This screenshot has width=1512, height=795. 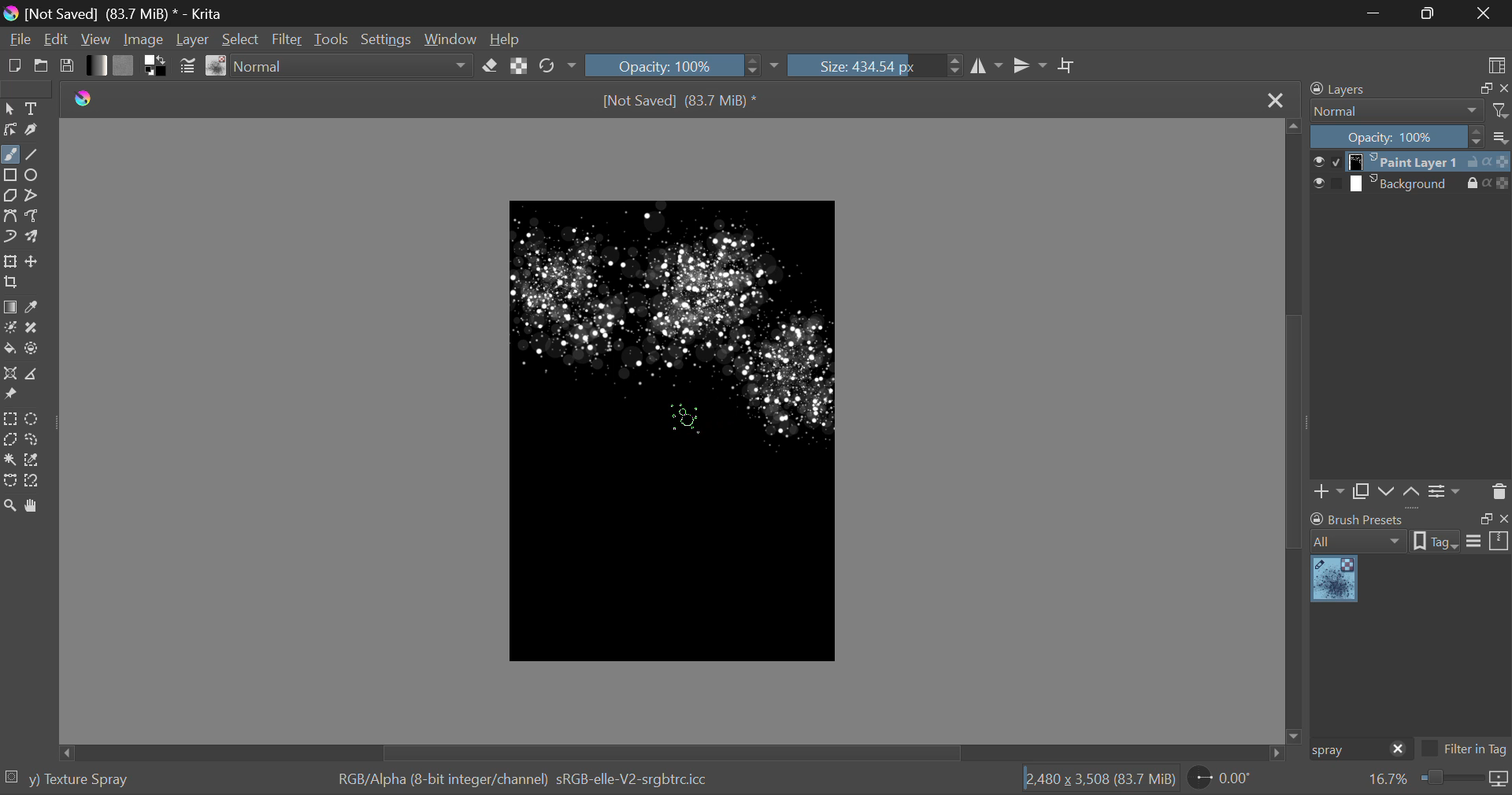 What do you see at coordinates (35, 107) in the screenshot?
I see `Text` at bounding box center [35, 107].